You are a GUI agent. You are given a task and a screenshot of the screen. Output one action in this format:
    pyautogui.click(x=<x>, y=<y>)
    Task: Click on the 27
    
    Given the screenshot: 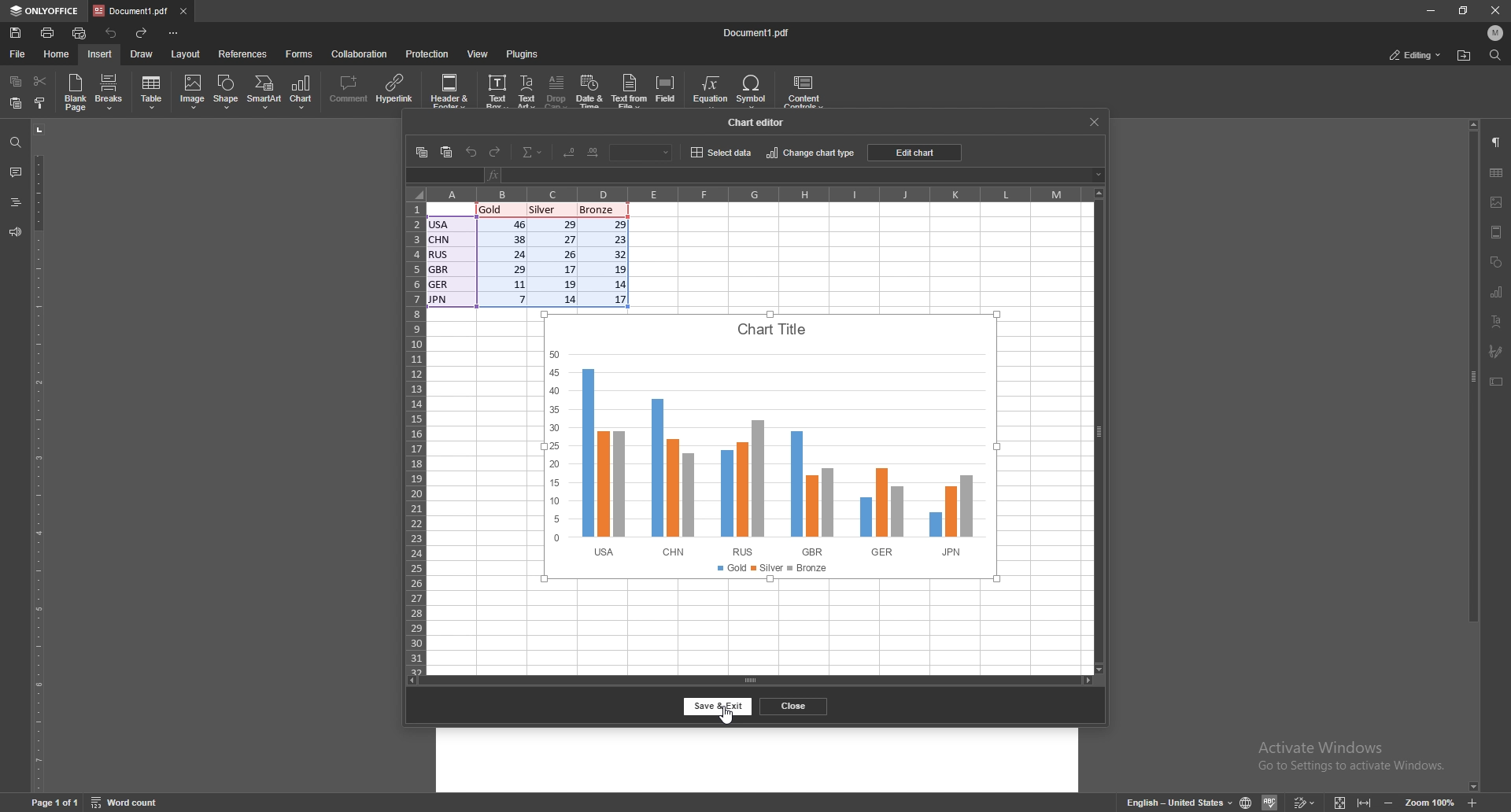 What is the action you would take?
    pyautogui.click(x=565, y=238)
    